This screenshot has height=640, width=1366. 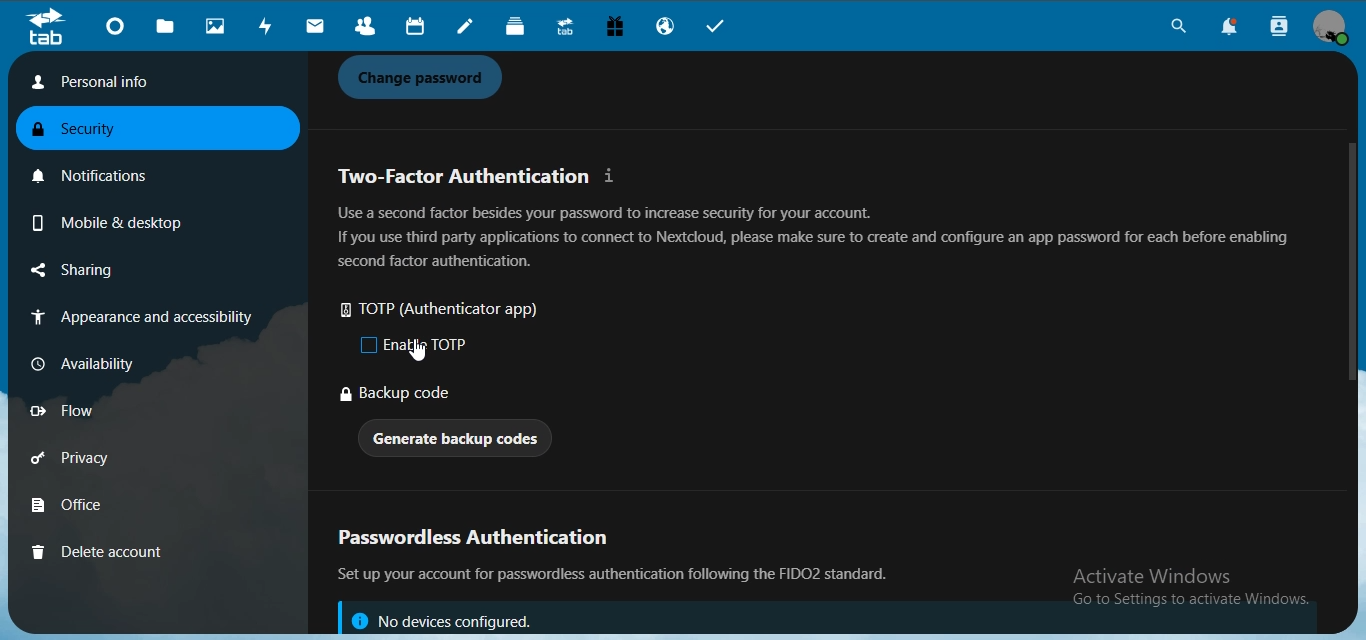 I want to click on backup code, so click(x=399, y=395).